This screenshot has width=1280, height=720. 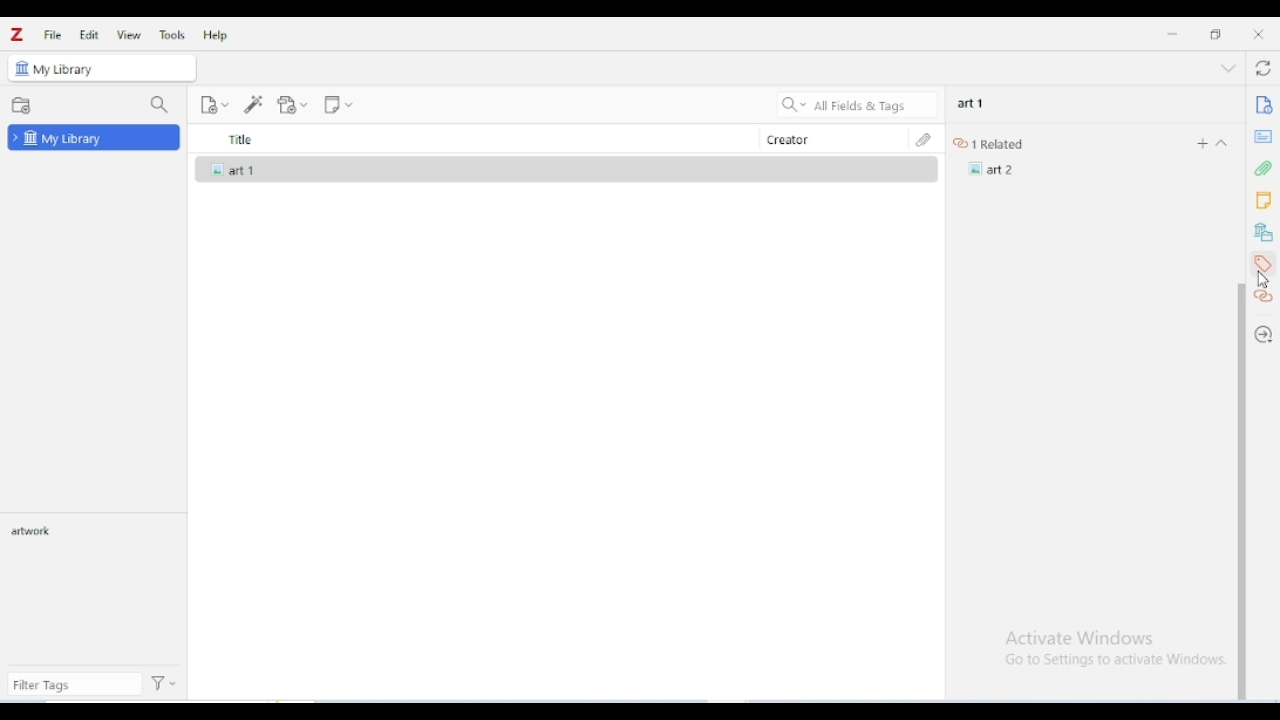 I want to click on related, so click(x=1263, y=297).